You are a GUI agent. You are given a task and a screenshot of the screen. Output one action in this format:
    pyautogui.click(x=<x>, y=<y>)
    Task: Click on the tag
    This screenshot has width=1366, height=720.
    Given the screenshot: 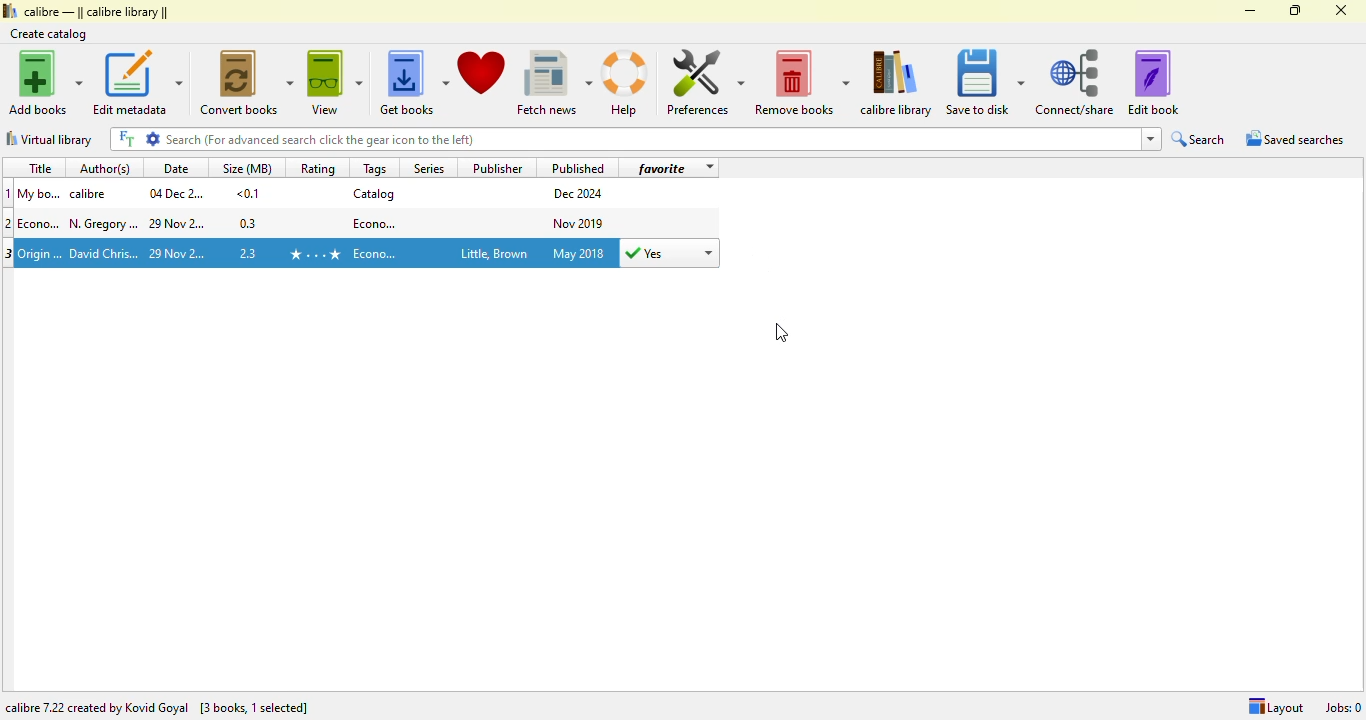 What is the action you would take?
    pyautogui.click(x=376, y=222)
    